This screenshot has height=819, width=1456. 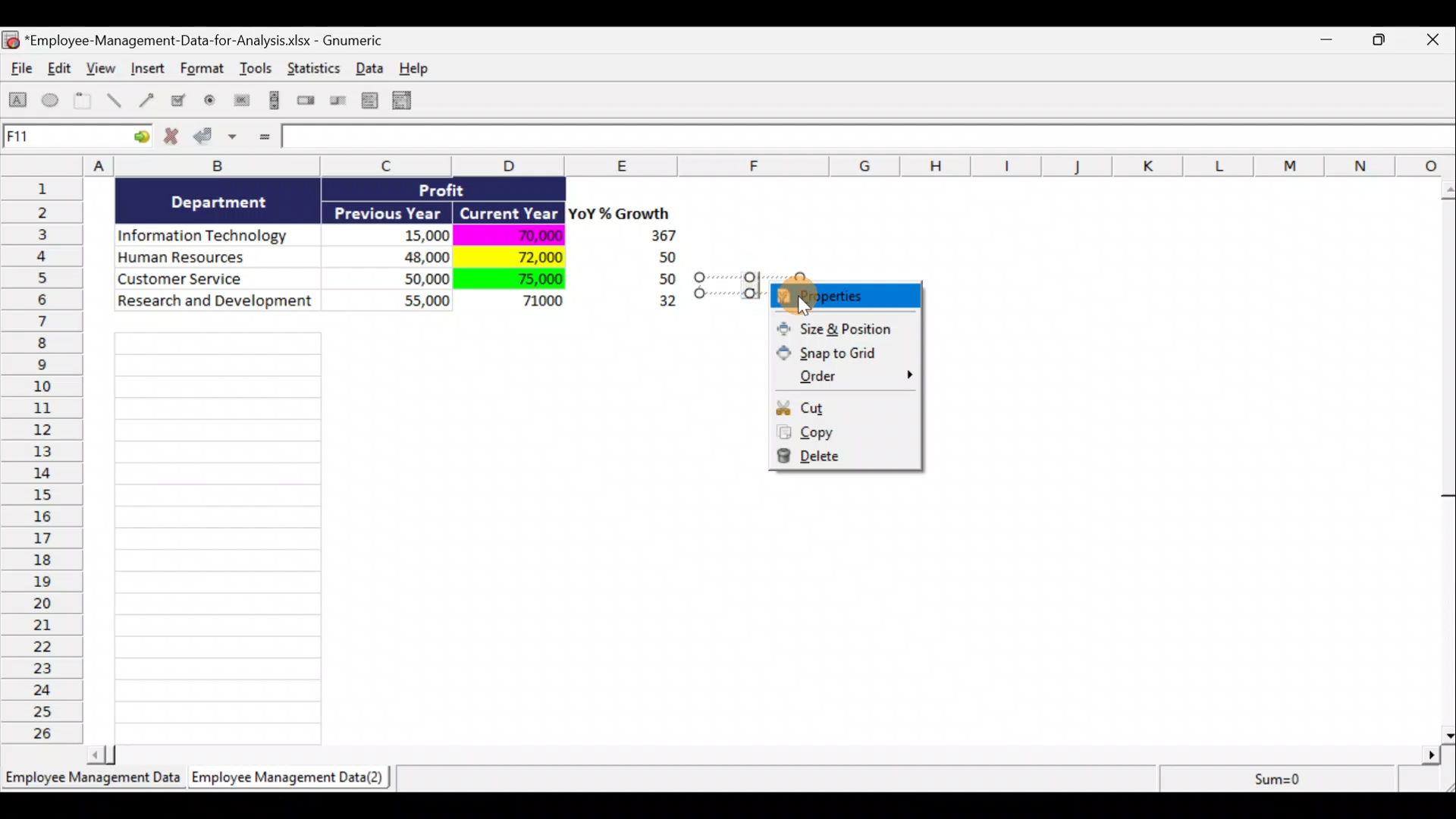 What do you see at coordinates (1436, 41) in the screenshot?
I see `Close` at bounding box center [1436, 41].